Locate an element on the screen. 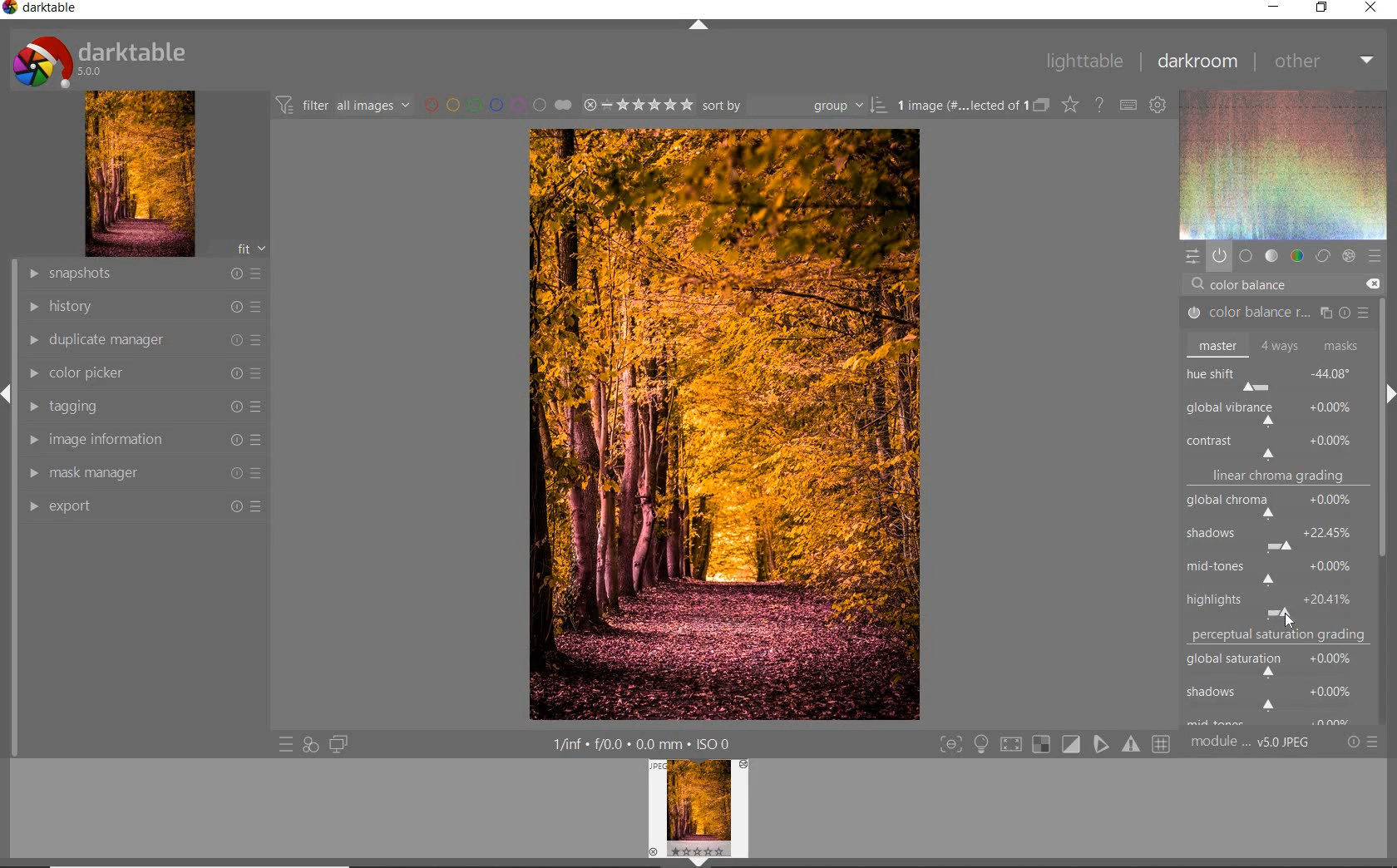  show global preference is located at coordinates (1159, 106).